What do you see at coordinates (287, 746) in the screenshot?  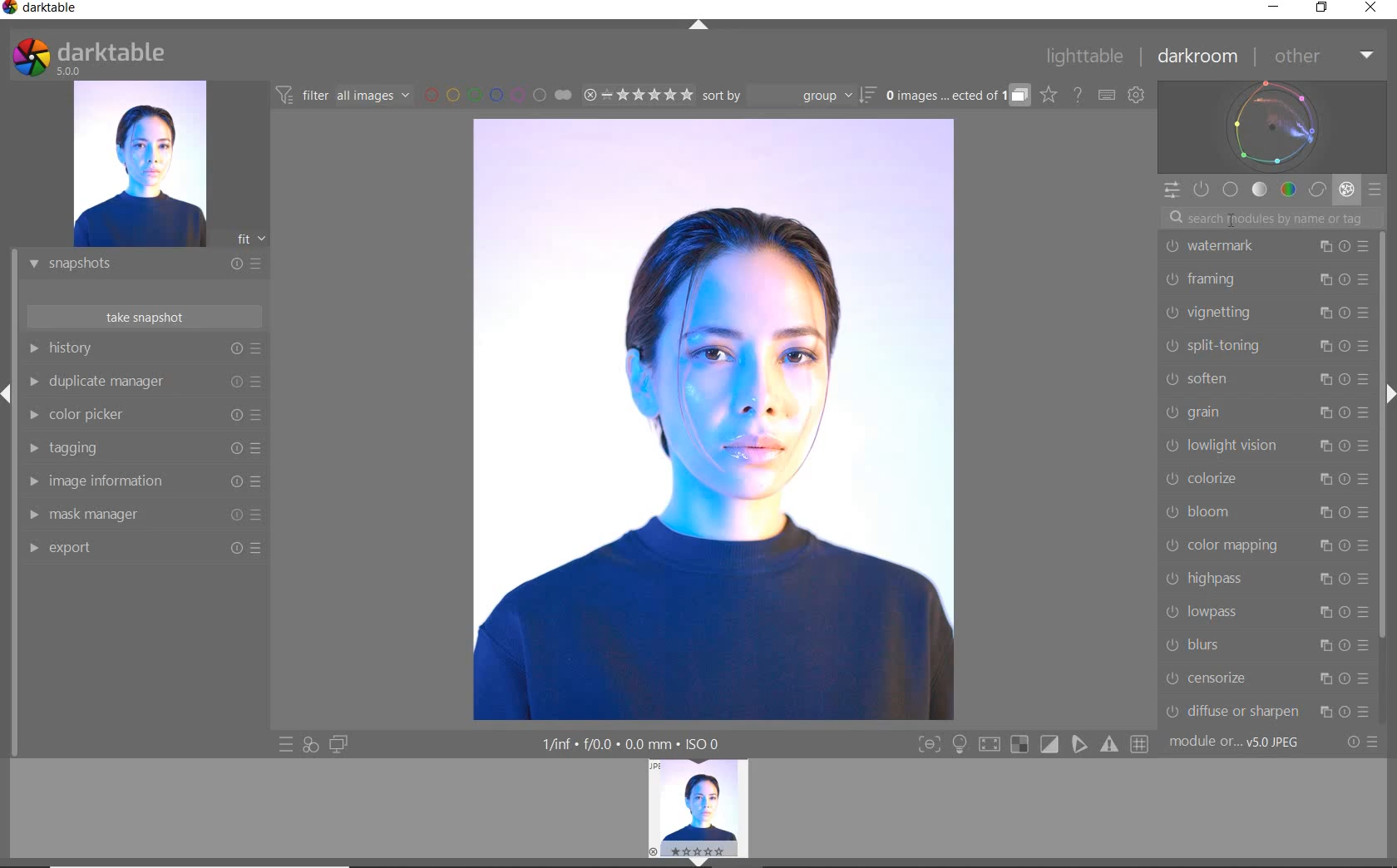 I see `QUICK ACCESS TO PRESET` at bounding box center [287, 746].